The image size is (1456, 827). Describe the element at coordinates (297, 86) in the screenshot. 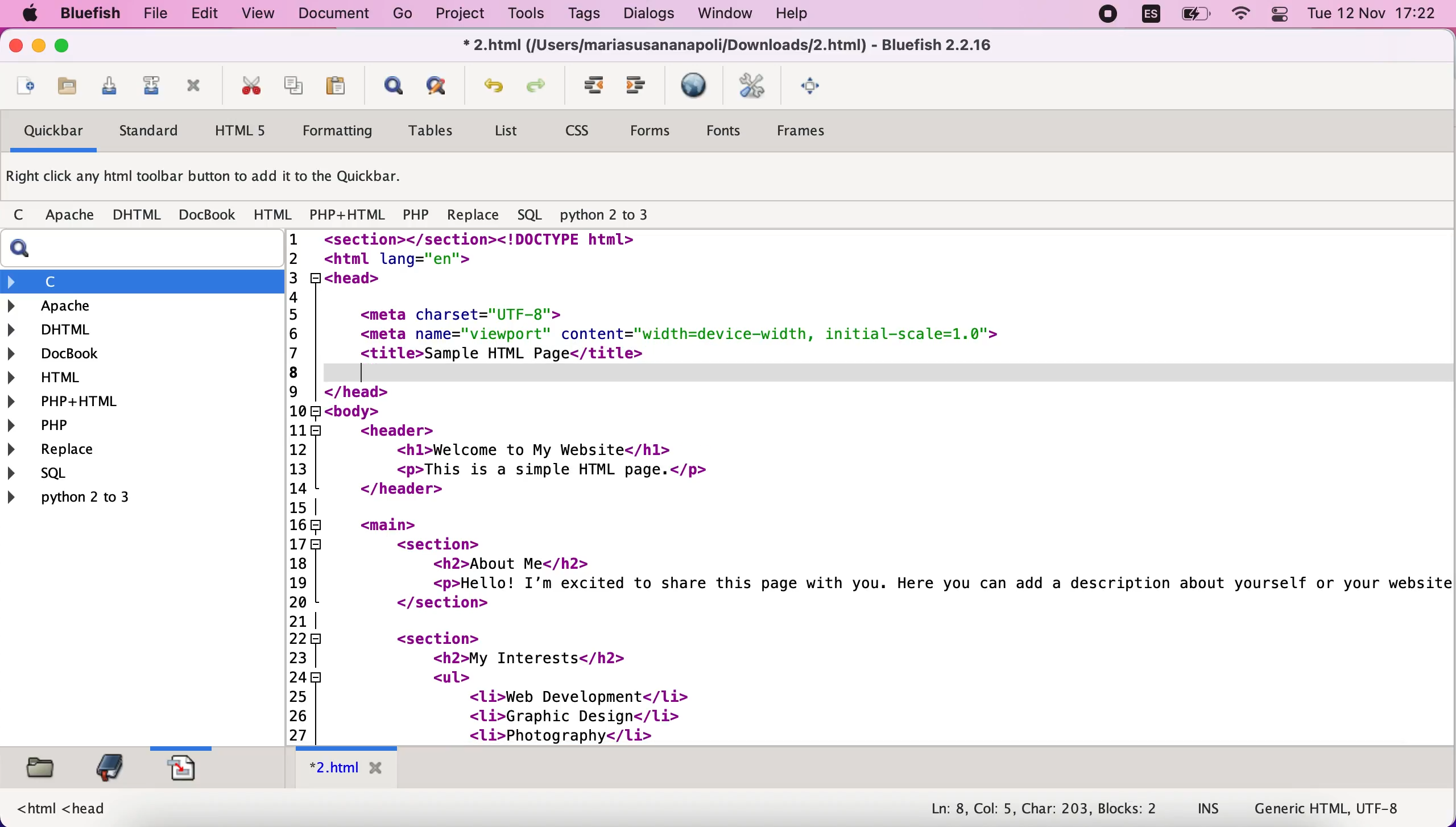

I see `copy` at that location.